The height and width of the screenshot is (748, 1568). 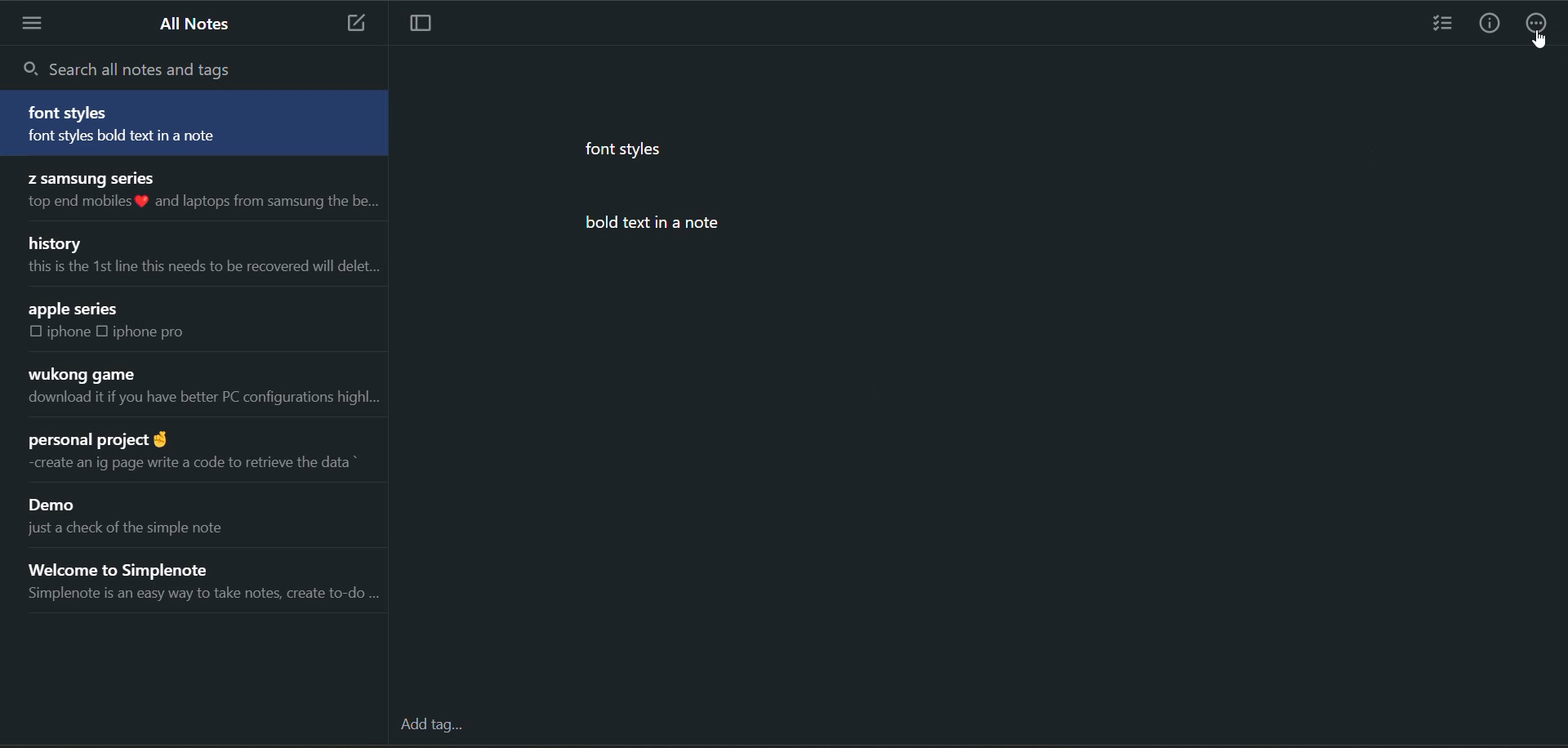 I want to click on history, so click(x=58, y=242).